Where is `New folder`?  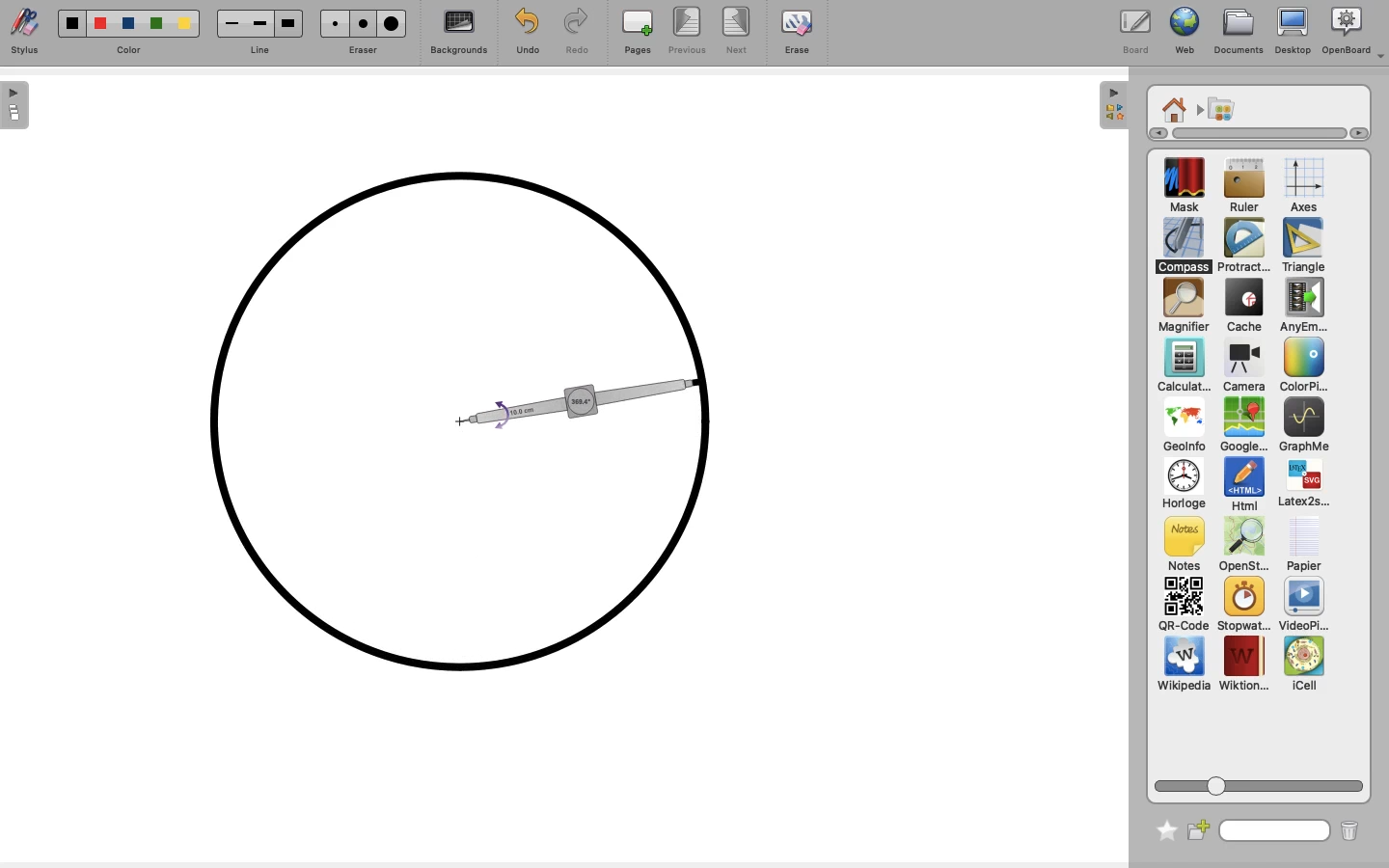
New folder is located at coordinates (1200, 828).